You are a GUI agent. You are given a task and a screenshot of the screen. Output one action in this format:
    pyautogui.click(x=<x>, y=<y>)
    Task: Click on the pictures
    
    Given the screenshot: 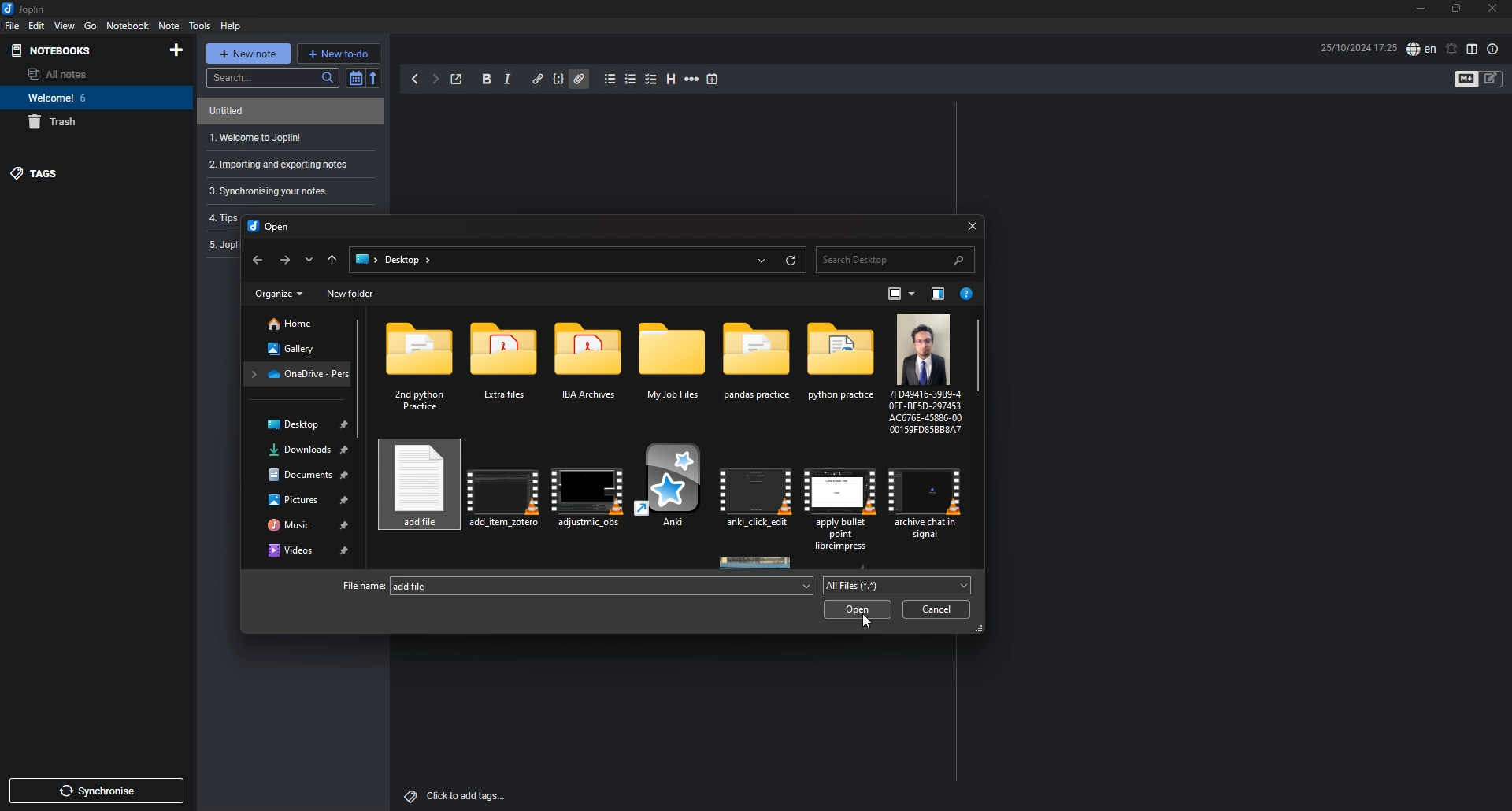 What is the action you would take?
    pyautogui.click(x=303, y=498)
    